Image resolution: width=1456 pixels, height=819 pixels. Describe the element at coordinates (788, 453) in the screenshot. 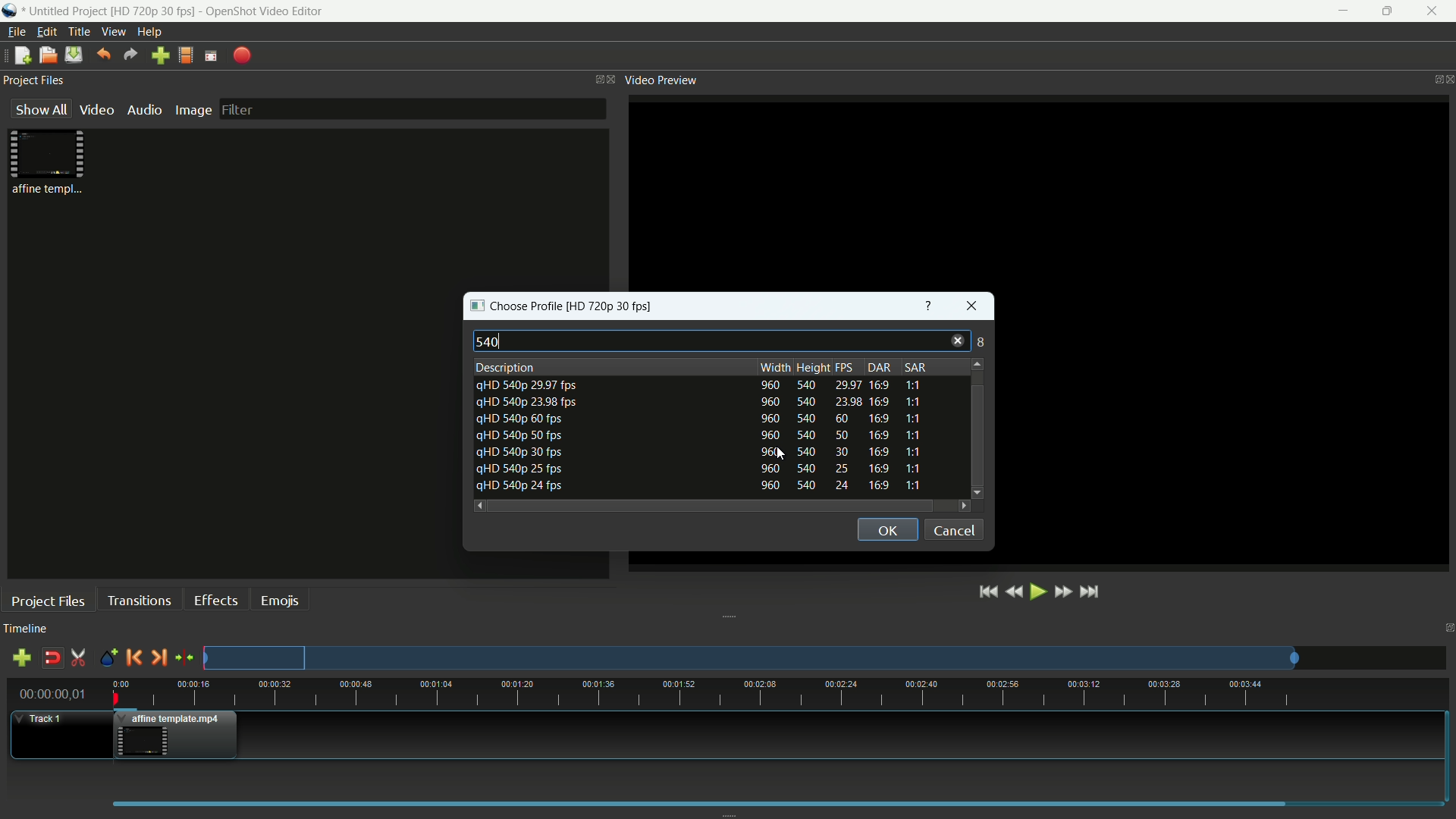

I see `cursor` at that location.